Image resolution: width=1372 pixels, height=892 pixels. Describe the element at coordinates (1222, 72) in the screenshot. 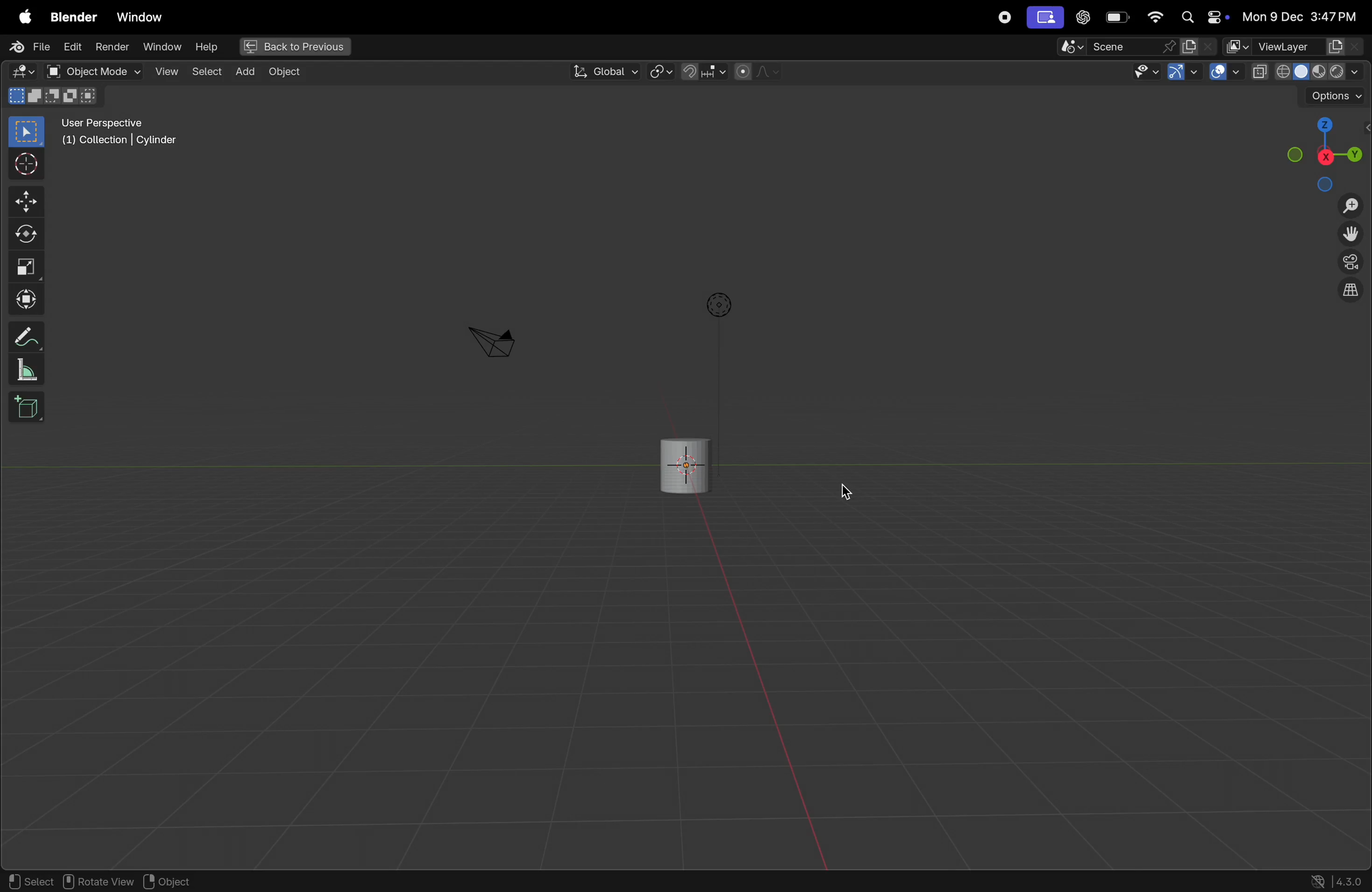

I see `overlays` at that location.